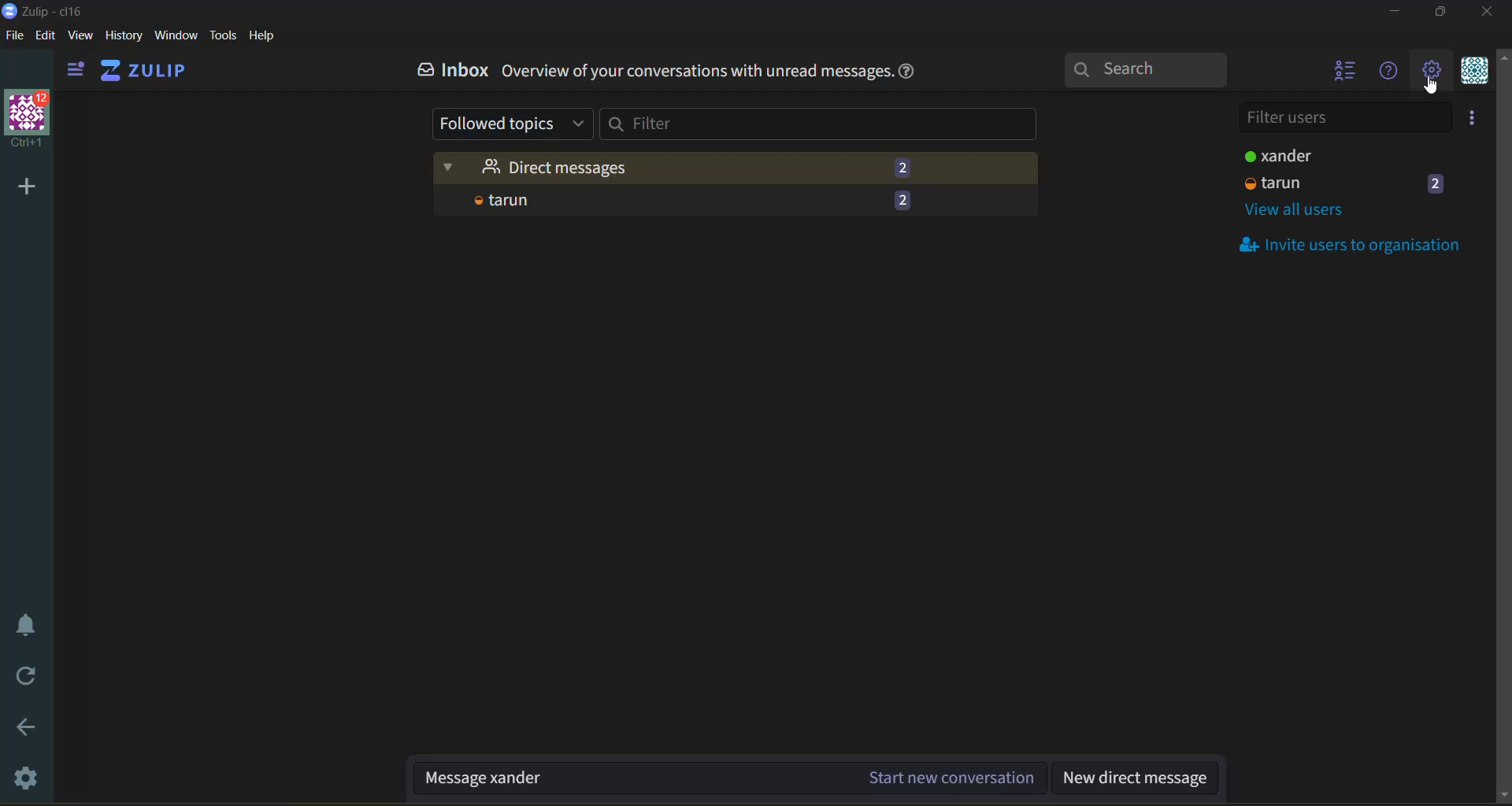 Image resolution: width=1512 pixels, height=806 pixels. I want to click on ZULIP , so click(144, 68).